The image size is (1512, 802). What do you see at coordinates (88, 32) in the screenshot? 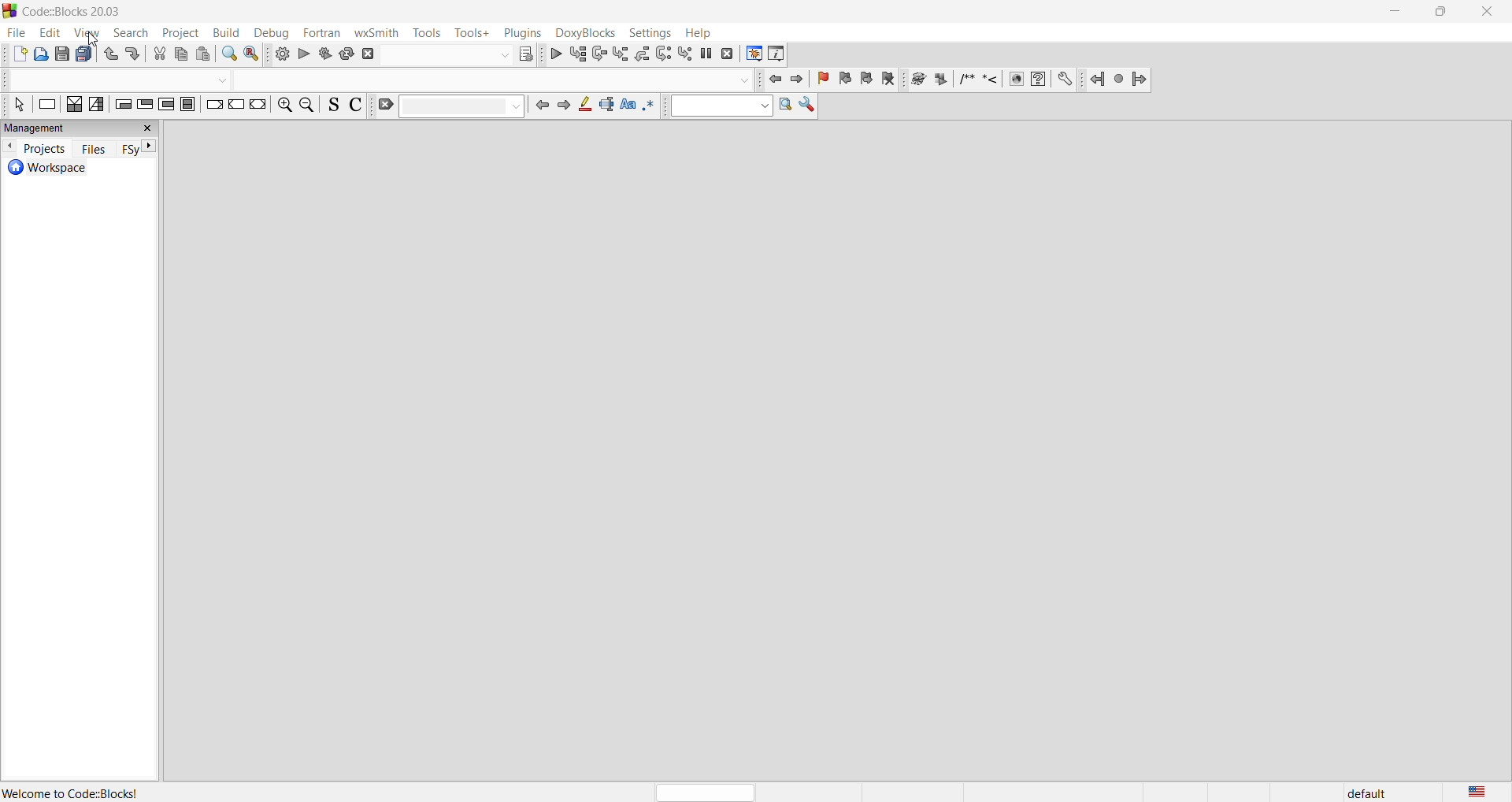
I see `view` at bounding box center [88, 32].